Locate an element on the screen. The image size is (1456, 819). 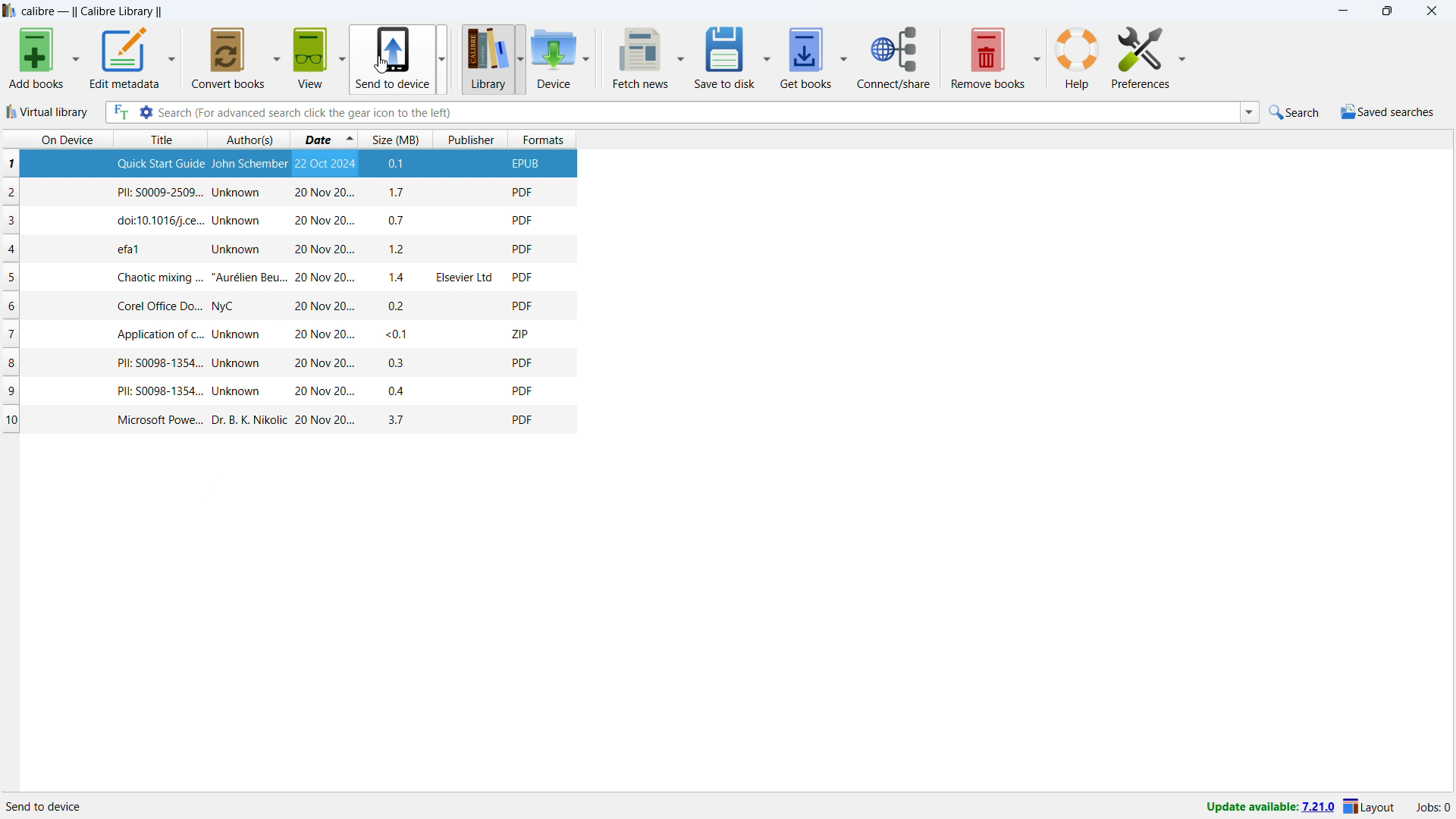
add books options is located at coordinates (78, 58).